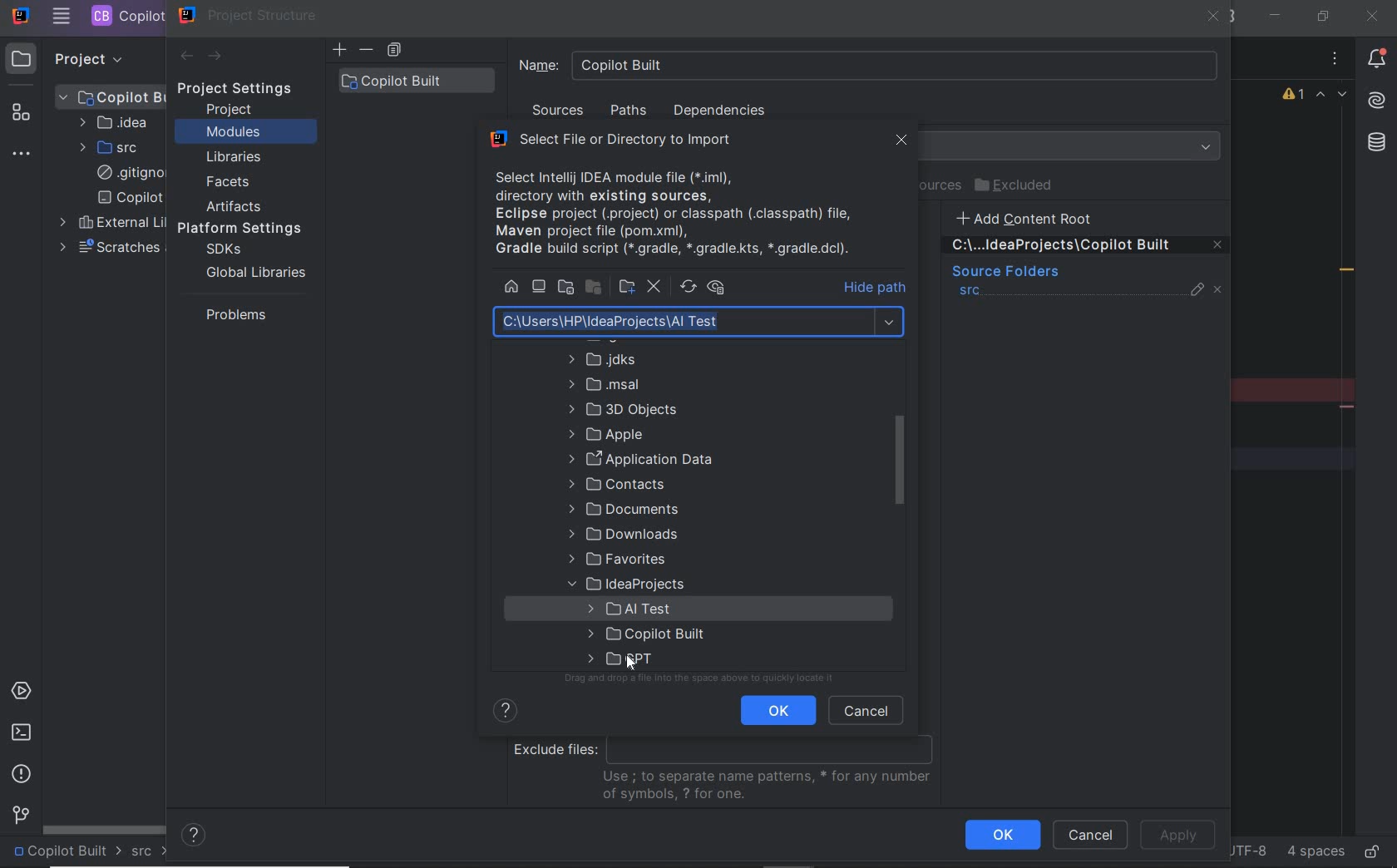 This screenshot has width=1397, height=868. What do you see at coordinates (1332, 96) in the screenshot?
I see `highlighted errors` at bounding box center [1332, 96].